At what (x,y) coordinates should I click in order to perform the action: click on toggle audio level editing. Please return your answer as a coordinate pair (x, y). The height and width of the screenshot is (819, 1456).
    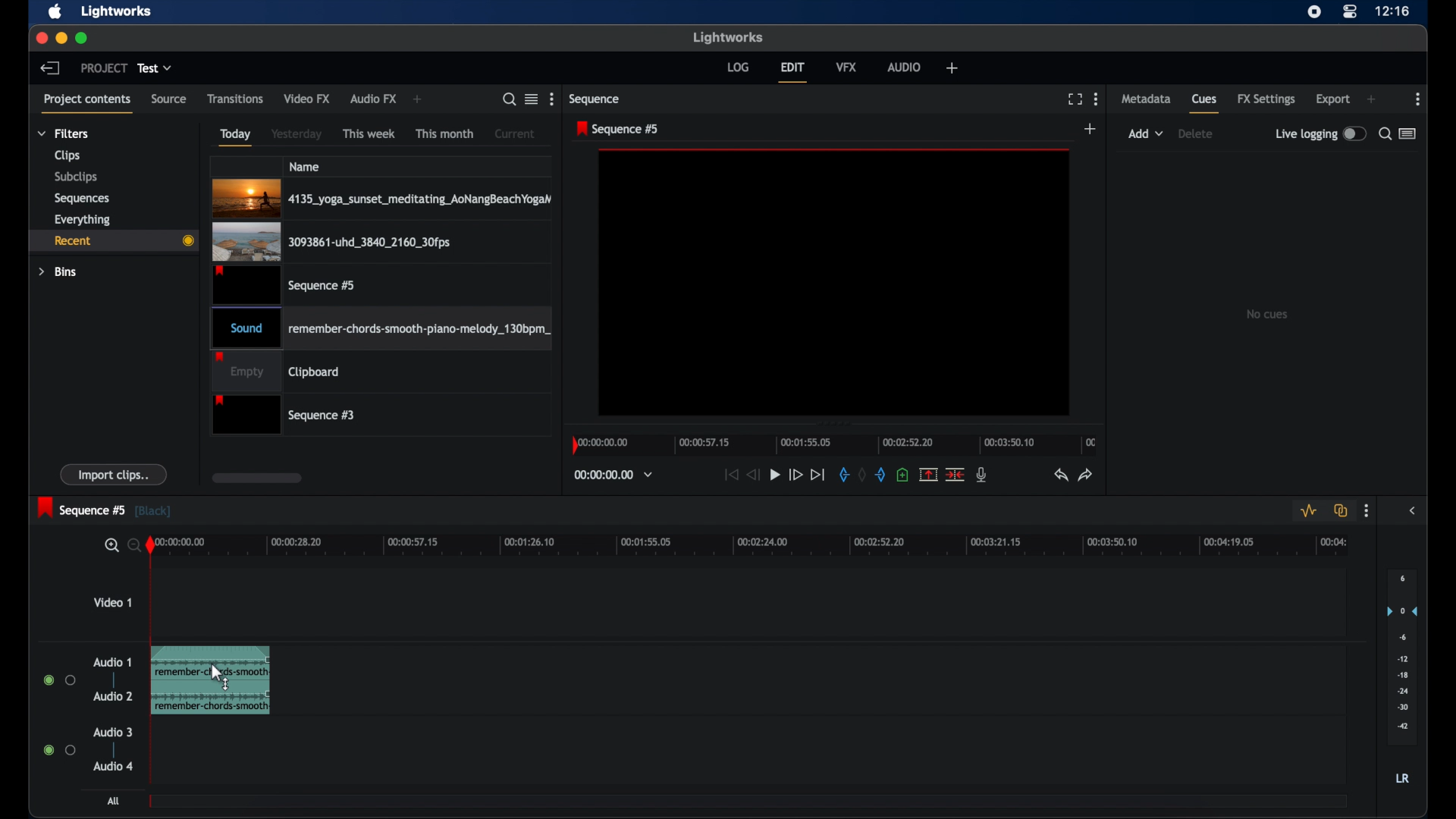
    Looking at the image, I should click on (1309, 511).